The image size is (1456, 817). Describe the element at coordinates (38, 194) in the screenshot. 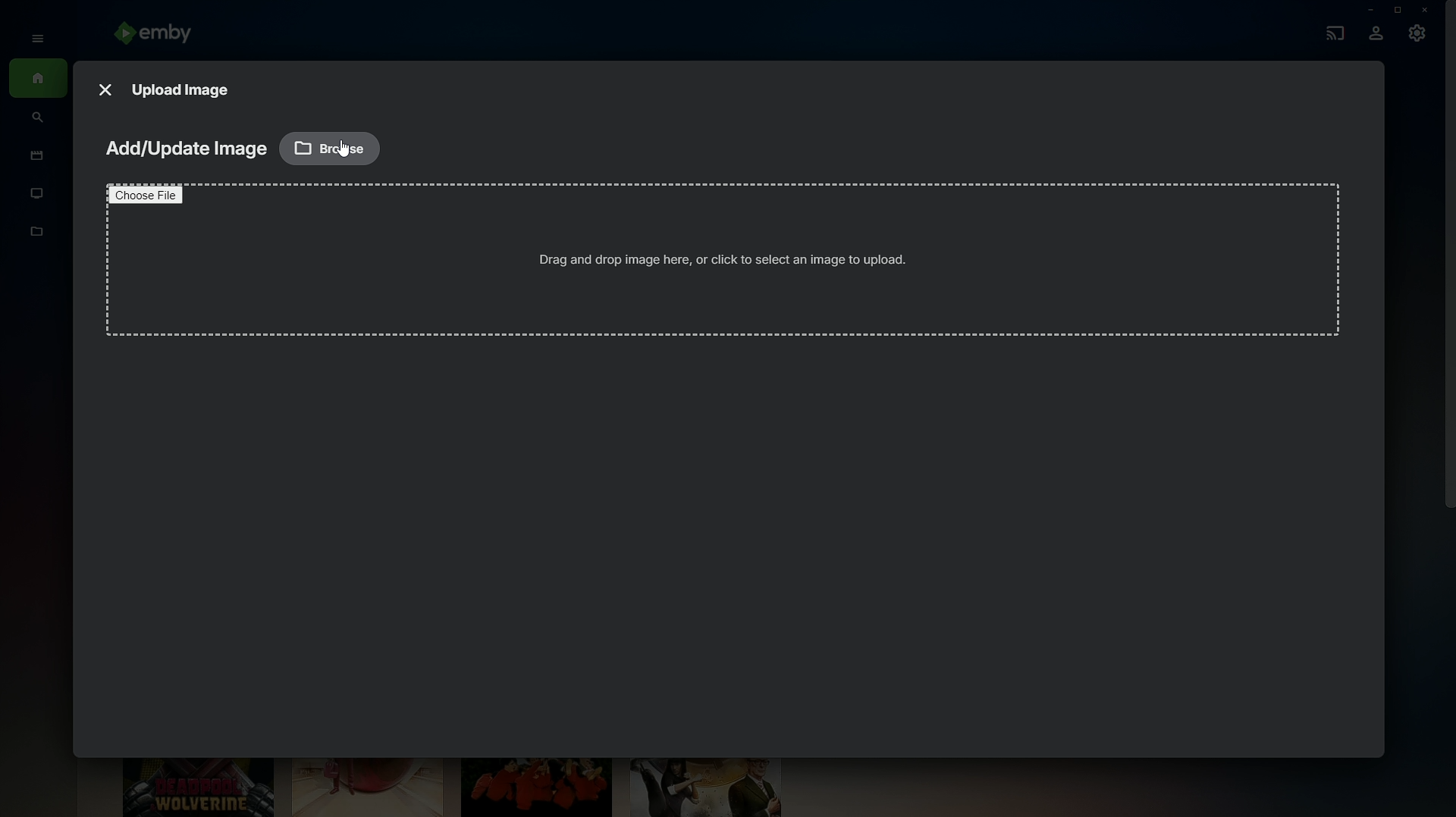

I see `TV Shows` at that location.